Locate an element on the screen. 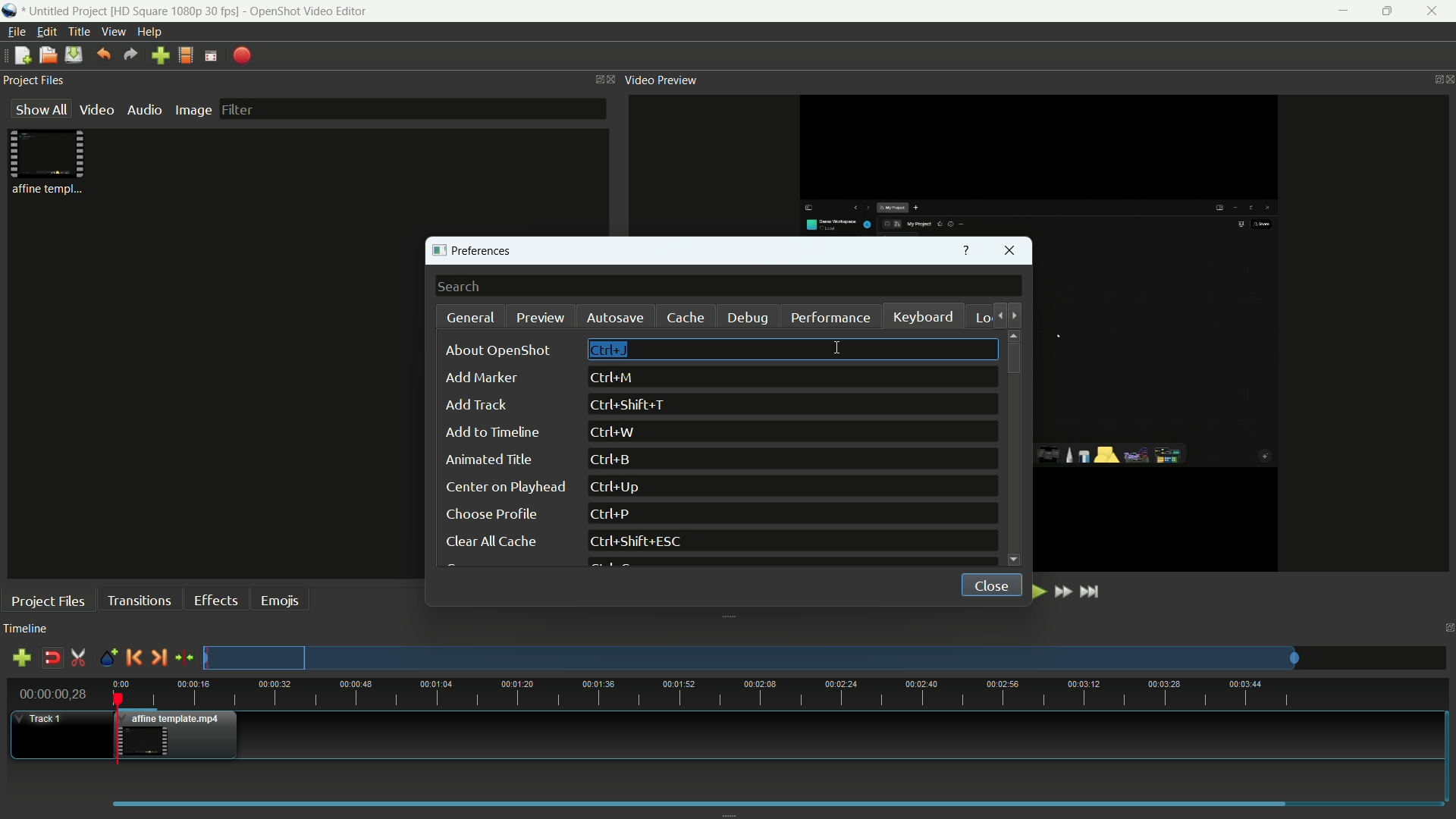 This screenshot has width=1456, height=819. file menu is located at coordinates (15, 32).